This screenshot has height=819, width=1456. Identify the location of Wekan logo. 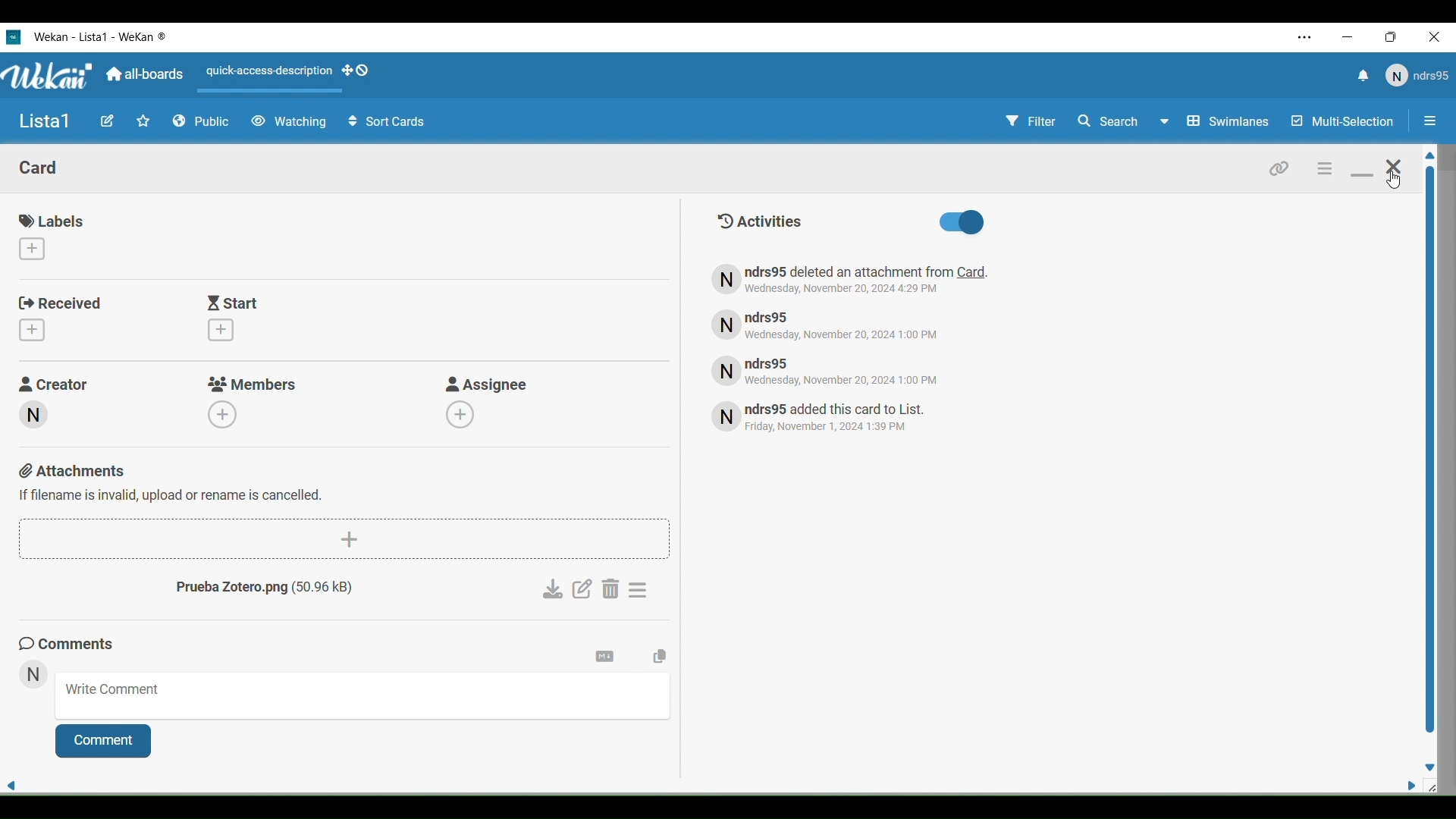
(13, 36).